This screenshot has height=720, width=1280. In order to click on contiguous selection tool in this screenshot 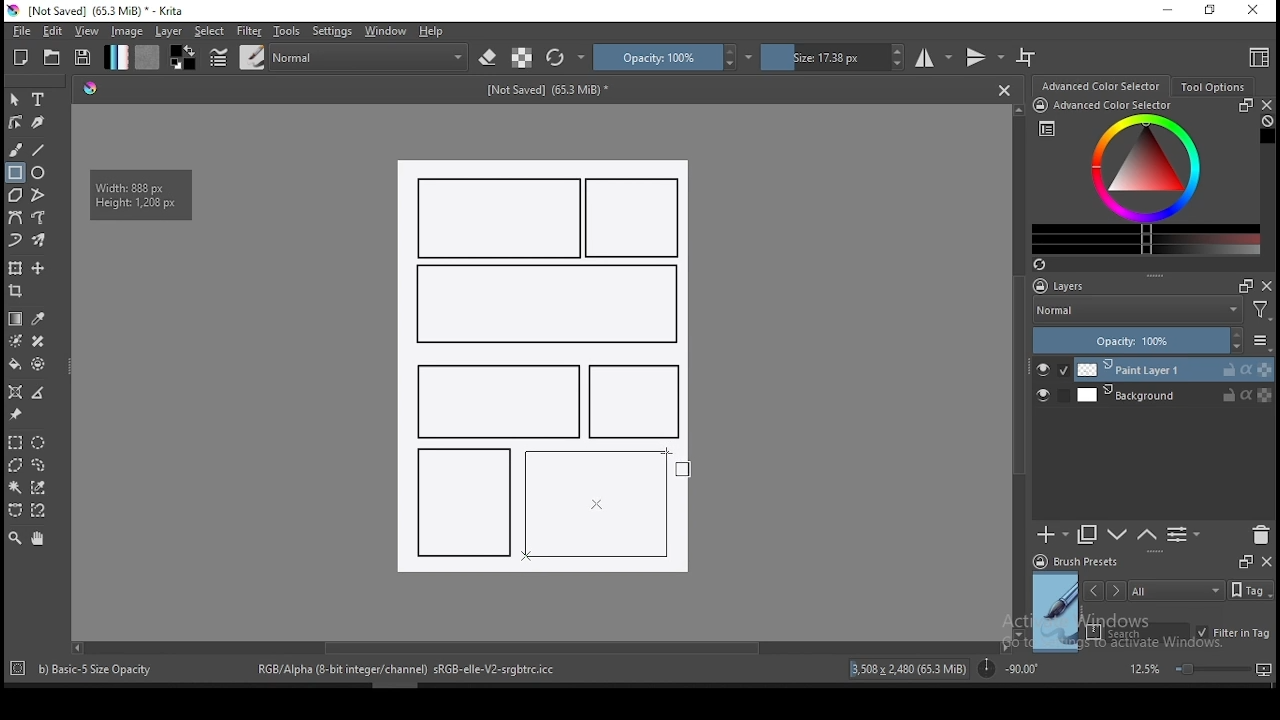, I will do `click(16, 489)`.